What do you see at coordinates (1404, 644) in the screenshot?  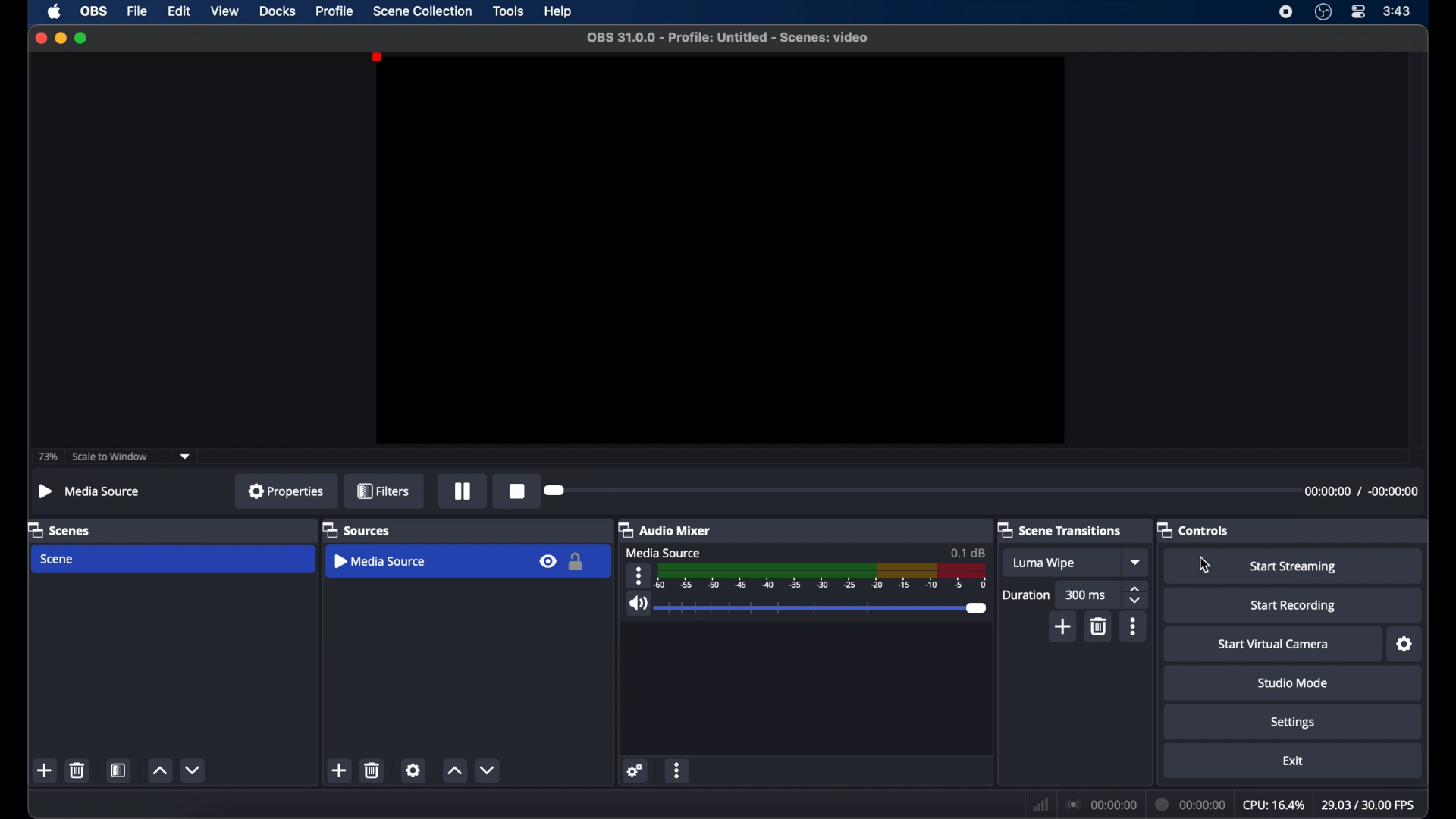 I see `settings` at bounding box center [1404, 644].